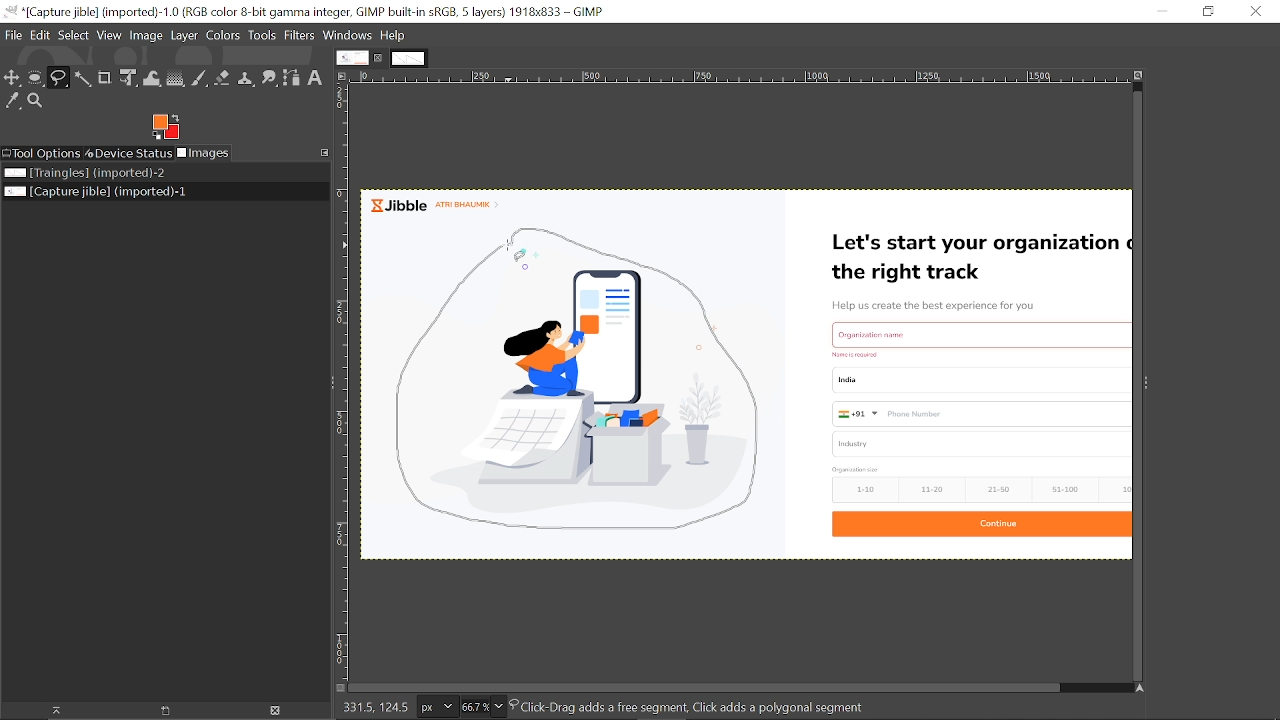  I want to click on Zoom image when window size changes, so click(1139, 77).